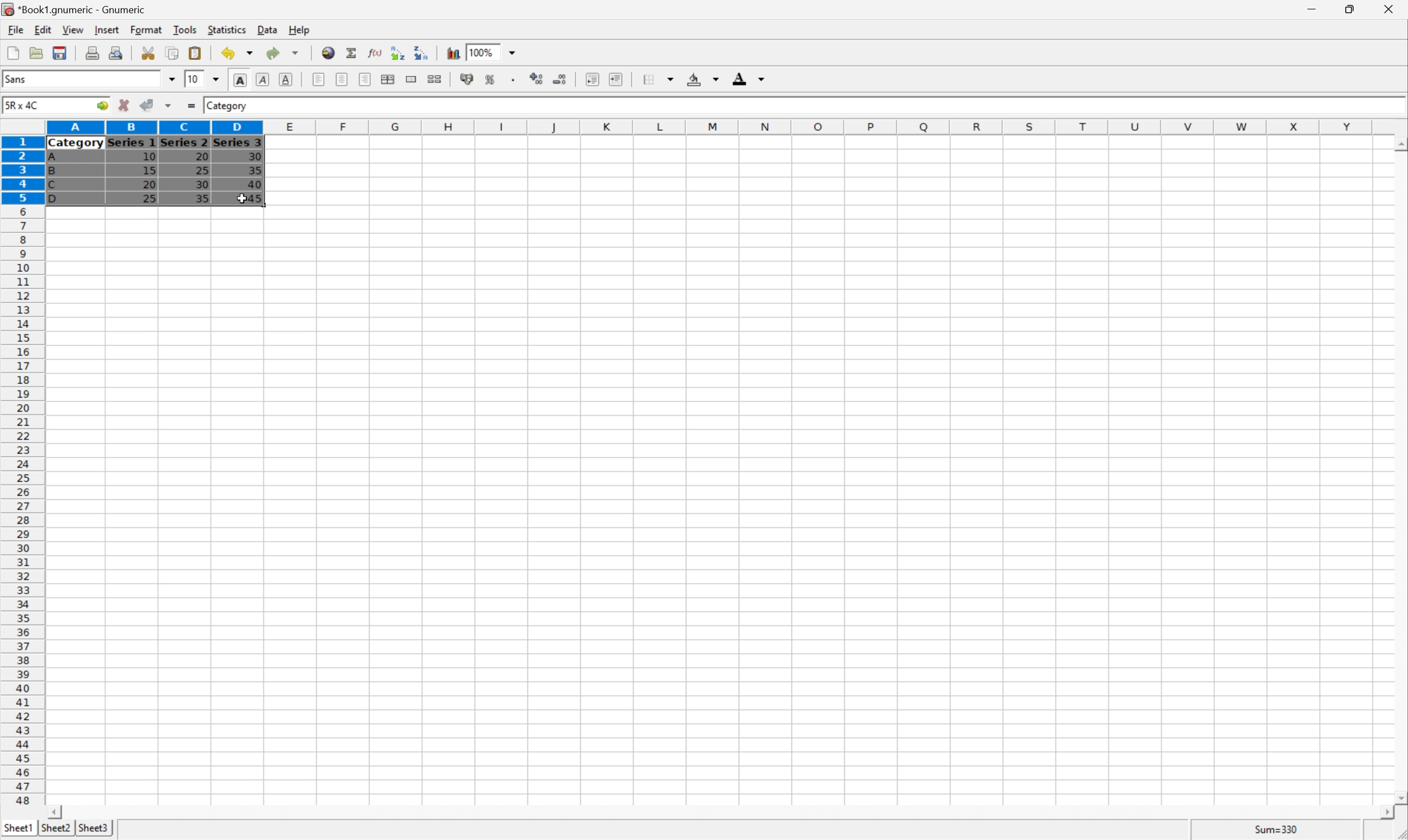  Describe the element at coordinates (24, 107) in the screenshot. I see `5R*4C` at that location.